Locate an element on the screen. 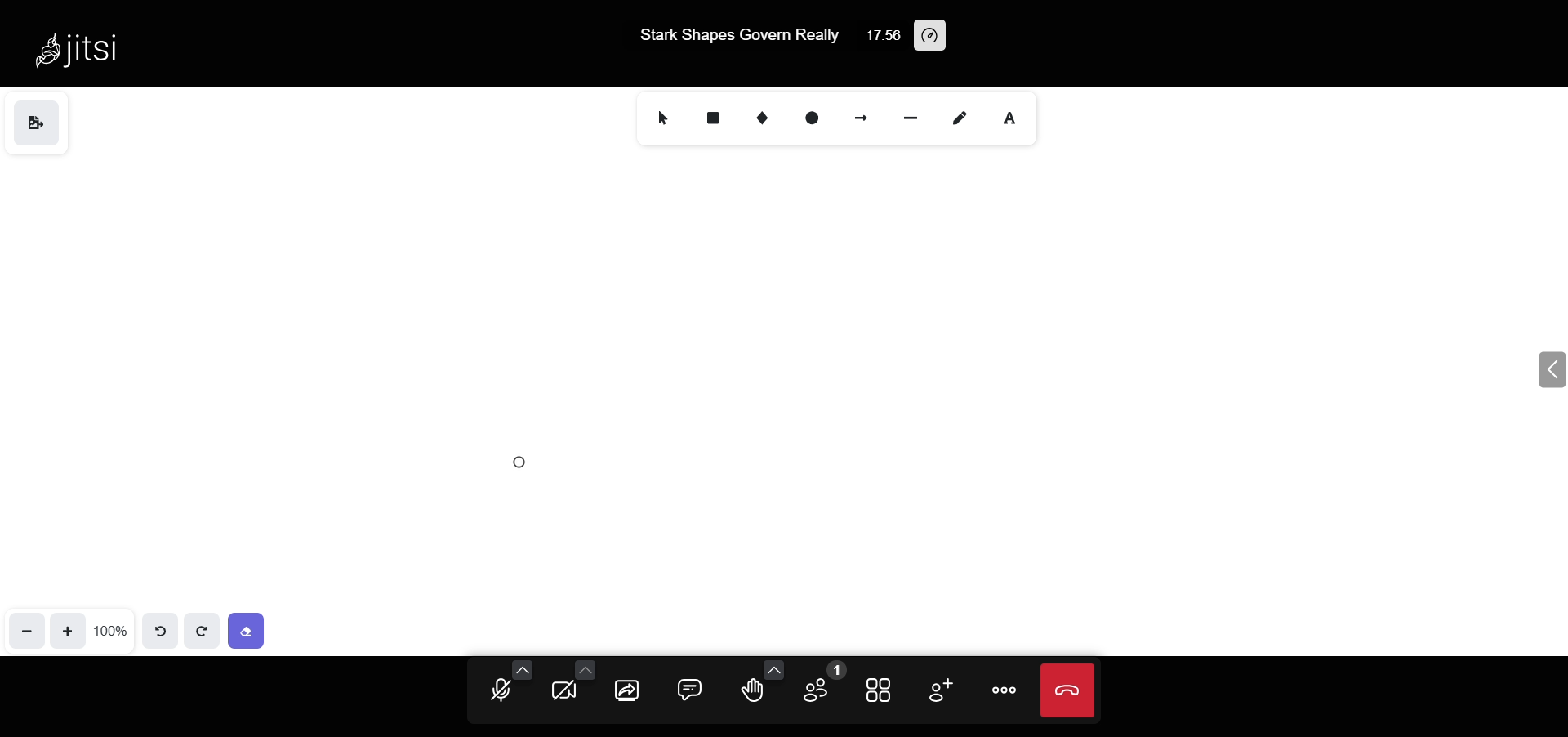 This screenshot has height=737, width=1568. participant is located at coordinates (819, 683).